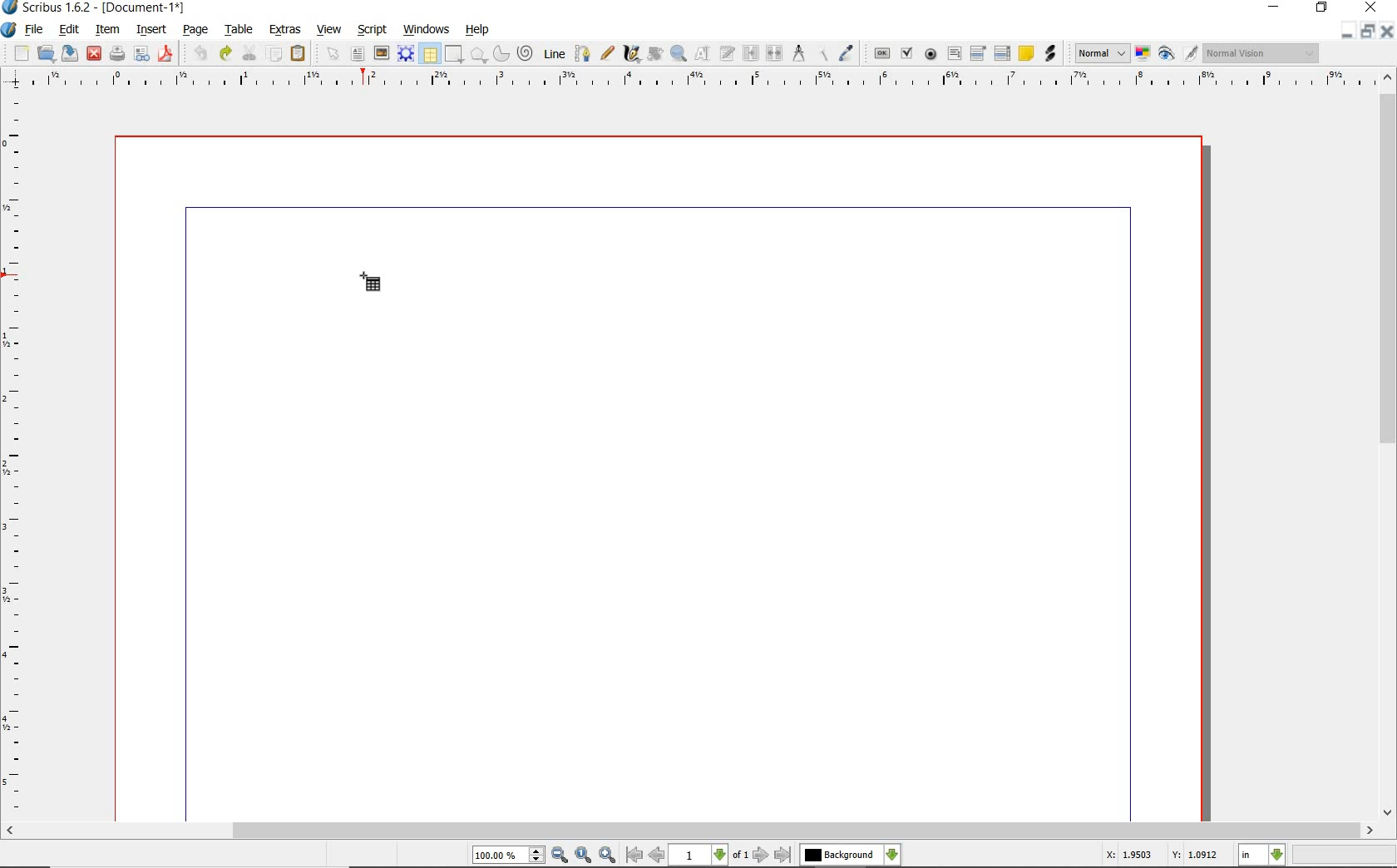  Describe the element at coordinates (776, 53) in the screenshot. I see `unlink text frames` at that location.